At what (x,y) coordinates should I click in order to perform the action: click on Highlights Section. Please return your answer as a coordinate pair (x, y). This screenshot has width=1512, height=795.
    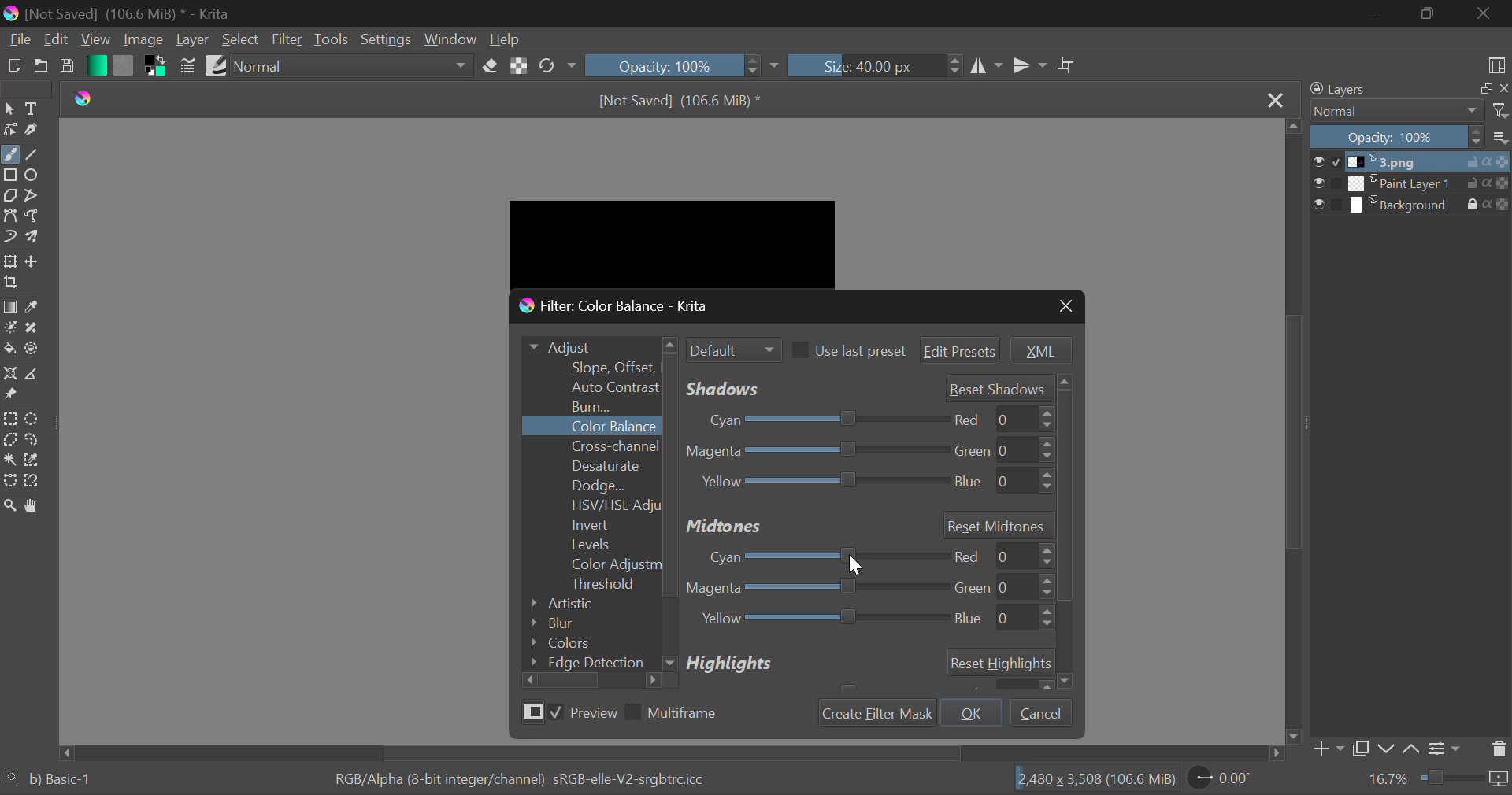
    Looking at the image, I should click on (864, 666).